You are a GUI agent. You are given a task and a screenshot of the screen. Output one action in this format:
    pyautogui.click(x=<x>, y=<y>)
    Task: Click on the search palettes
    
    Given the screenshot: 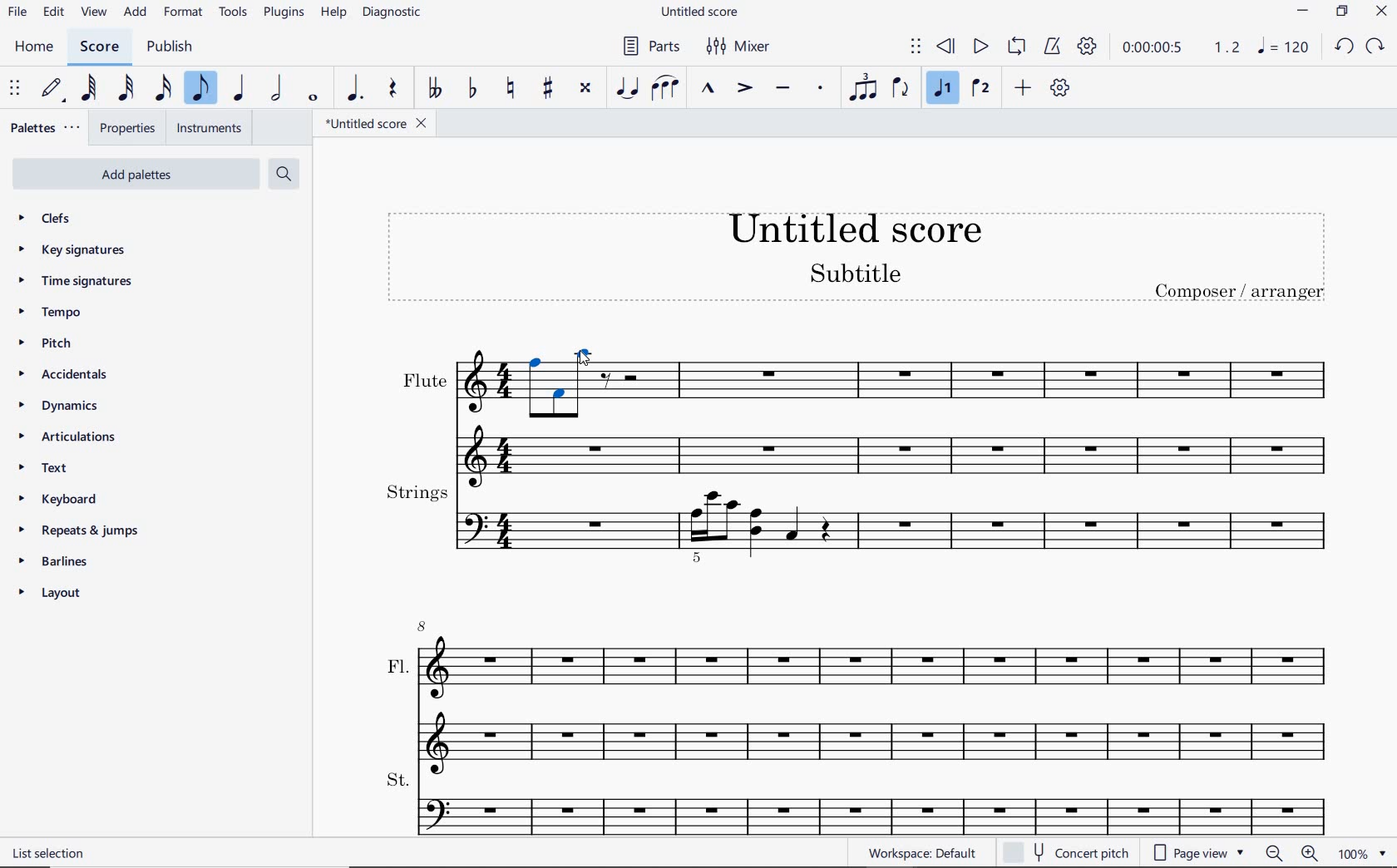 What is the action you would take?
    pyautogui.click(x=284, y=173)
    